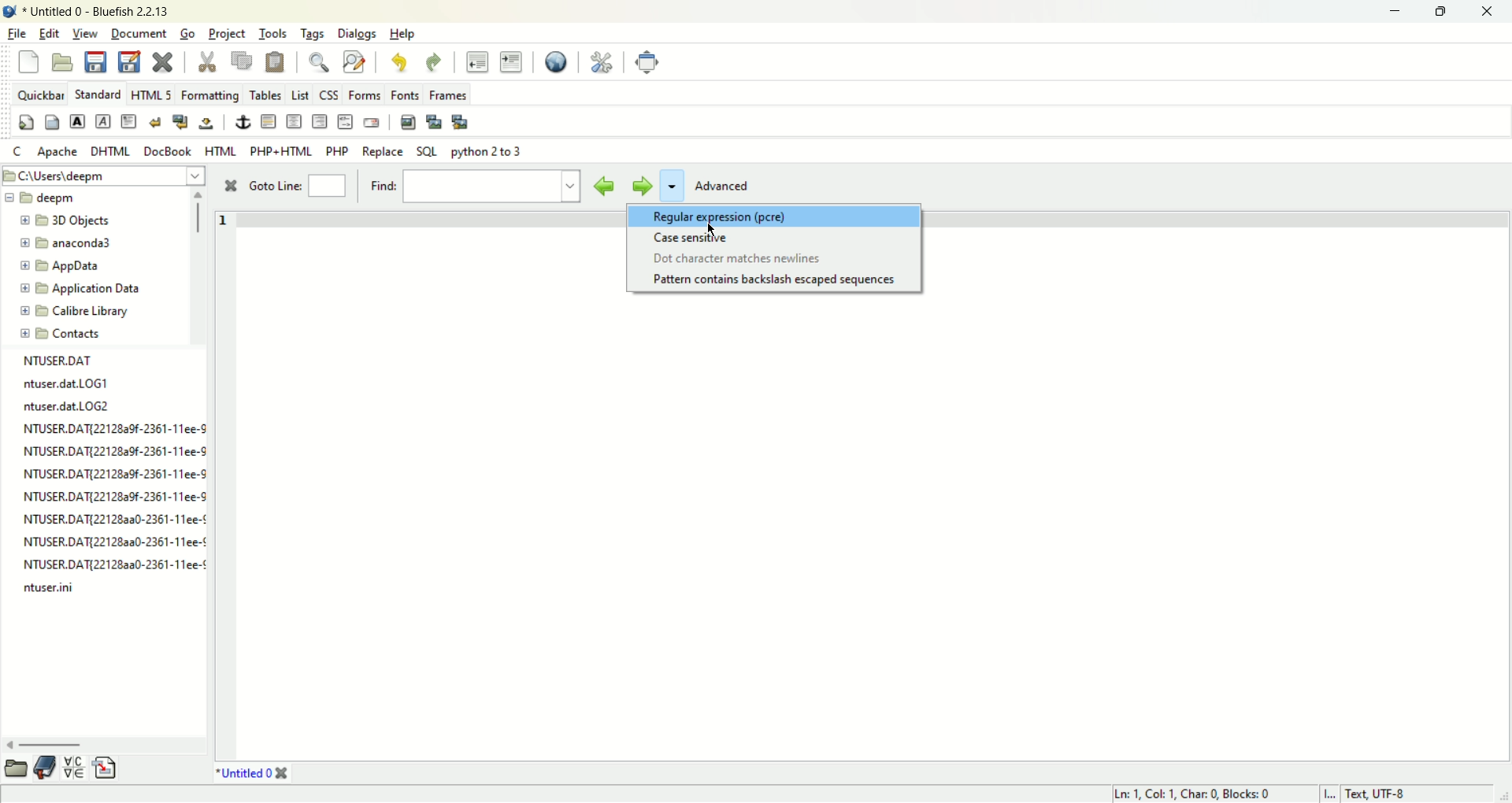 This screenshot has height=803, width=1512. What do you see at coordinates (70, 244) in the screenshot?
I see `anaconda` at bounding box center [70, 244].